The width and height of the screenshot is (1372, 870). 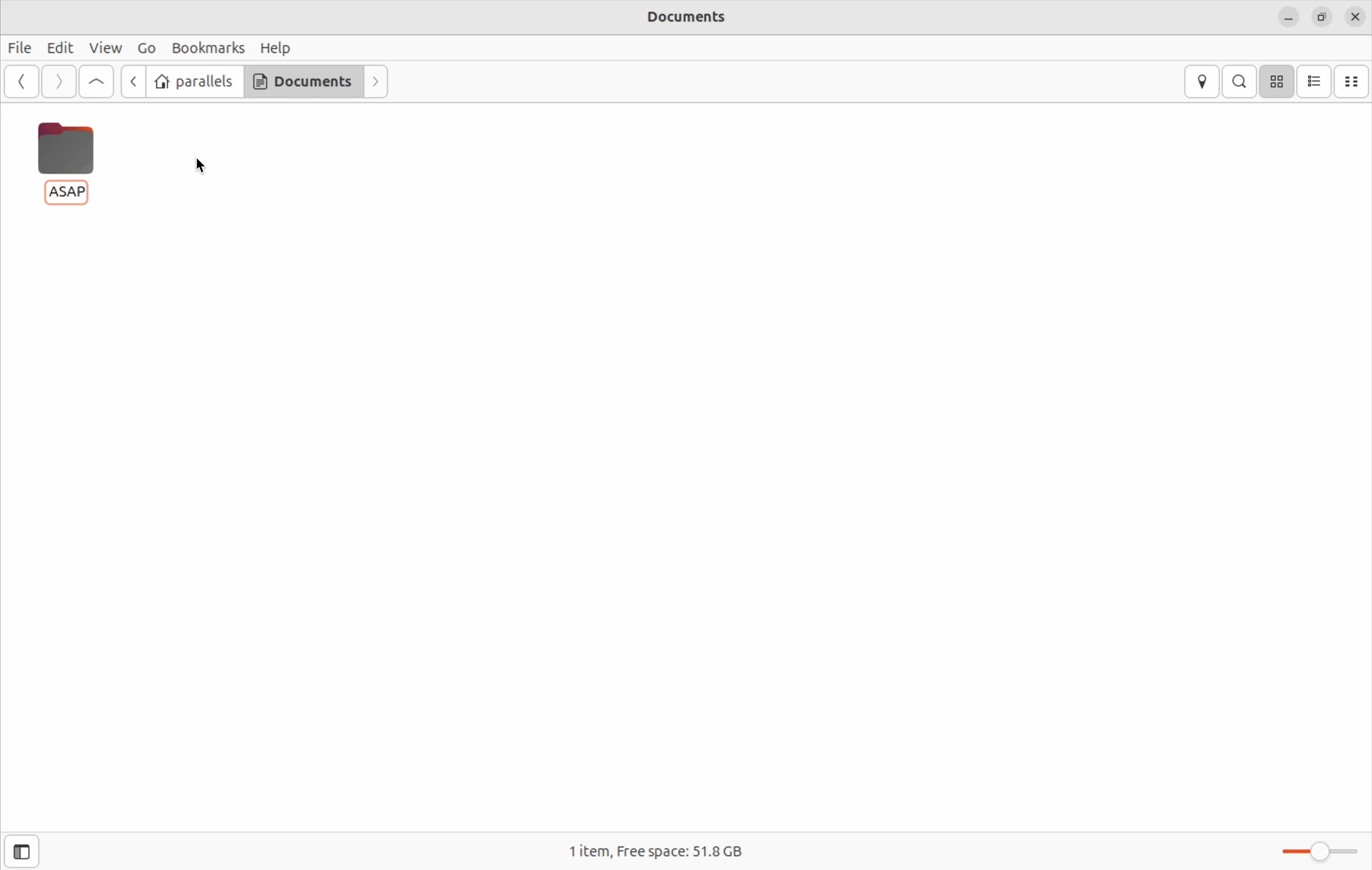 What do you see at coordinates (1288, 18) in the screenshot?
I see `minimize` at bounding box center [1288, 18].